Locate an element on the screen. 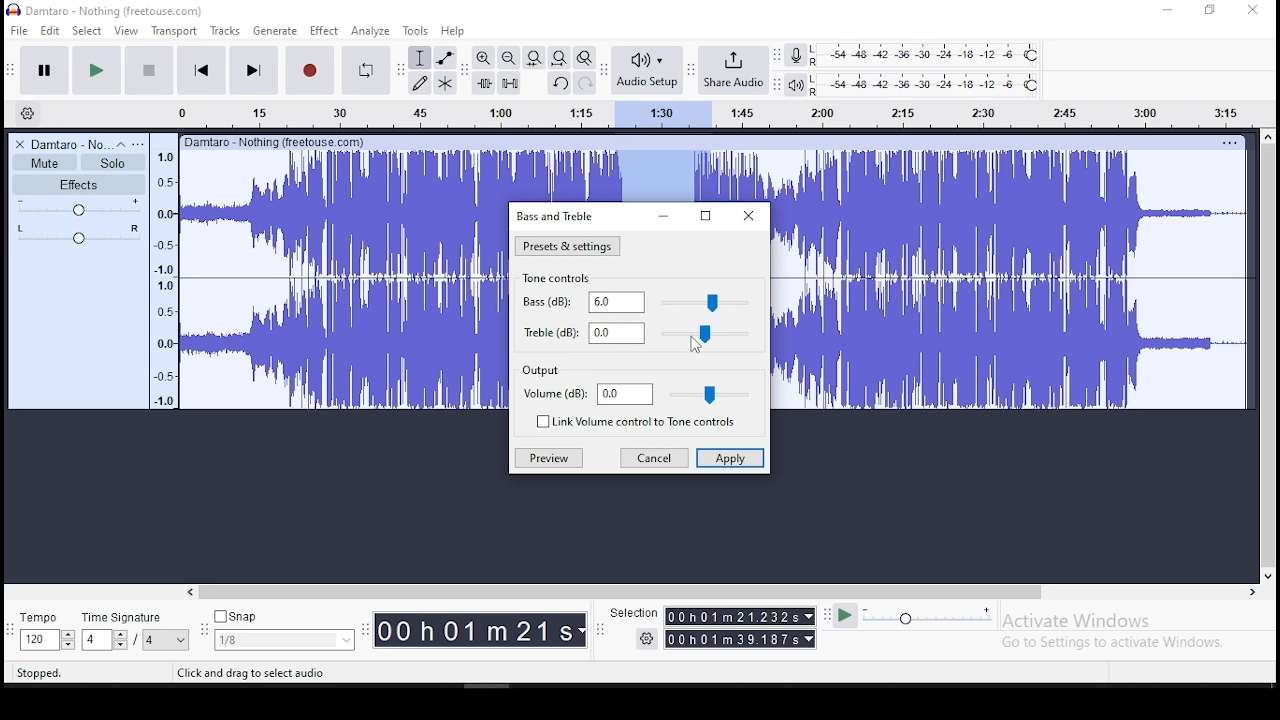 The image size is (1280, 720). timeline settings is located at coordinates (26, 112).